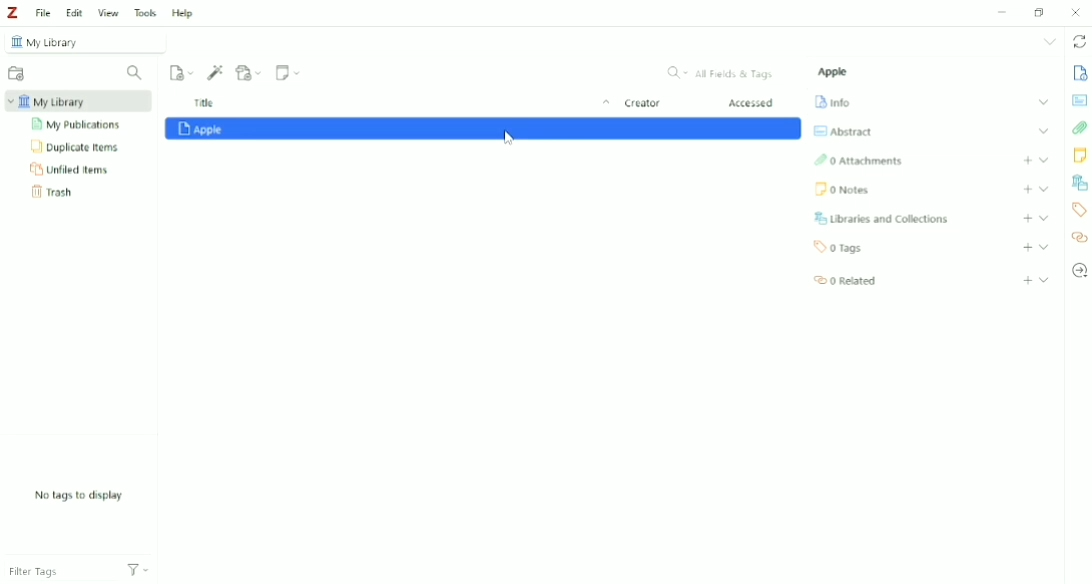 This screenshot has width=1092, height=584. I want to click on Apple, so click(835, 72).